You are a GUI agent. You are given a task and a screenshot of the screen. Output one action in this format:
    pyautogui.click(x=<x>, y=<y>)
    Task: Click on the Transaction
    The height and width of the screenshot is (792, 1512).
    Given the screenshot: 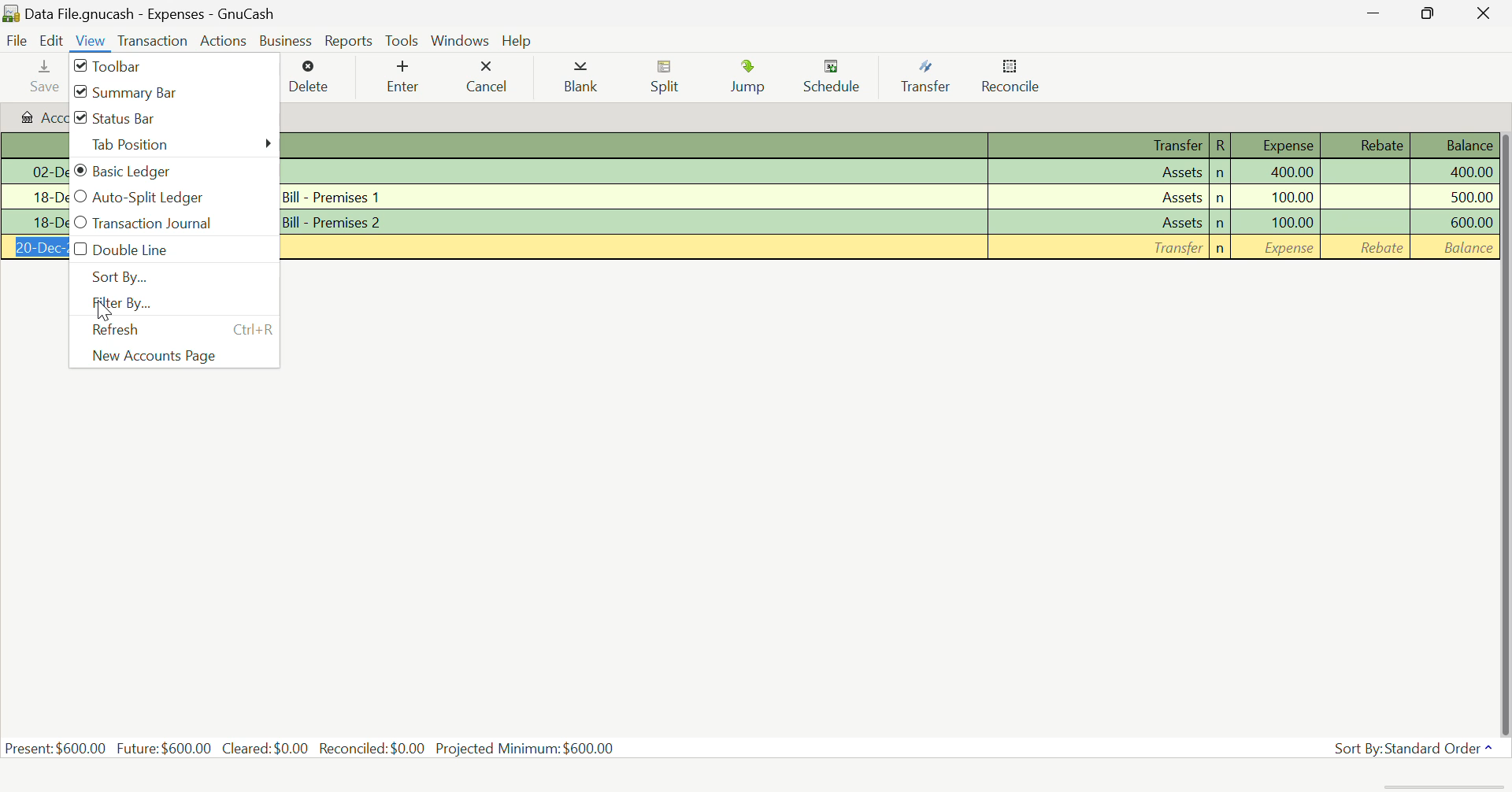 What is the action you would take?
    pyautogui.click(x=150, y=41)
    